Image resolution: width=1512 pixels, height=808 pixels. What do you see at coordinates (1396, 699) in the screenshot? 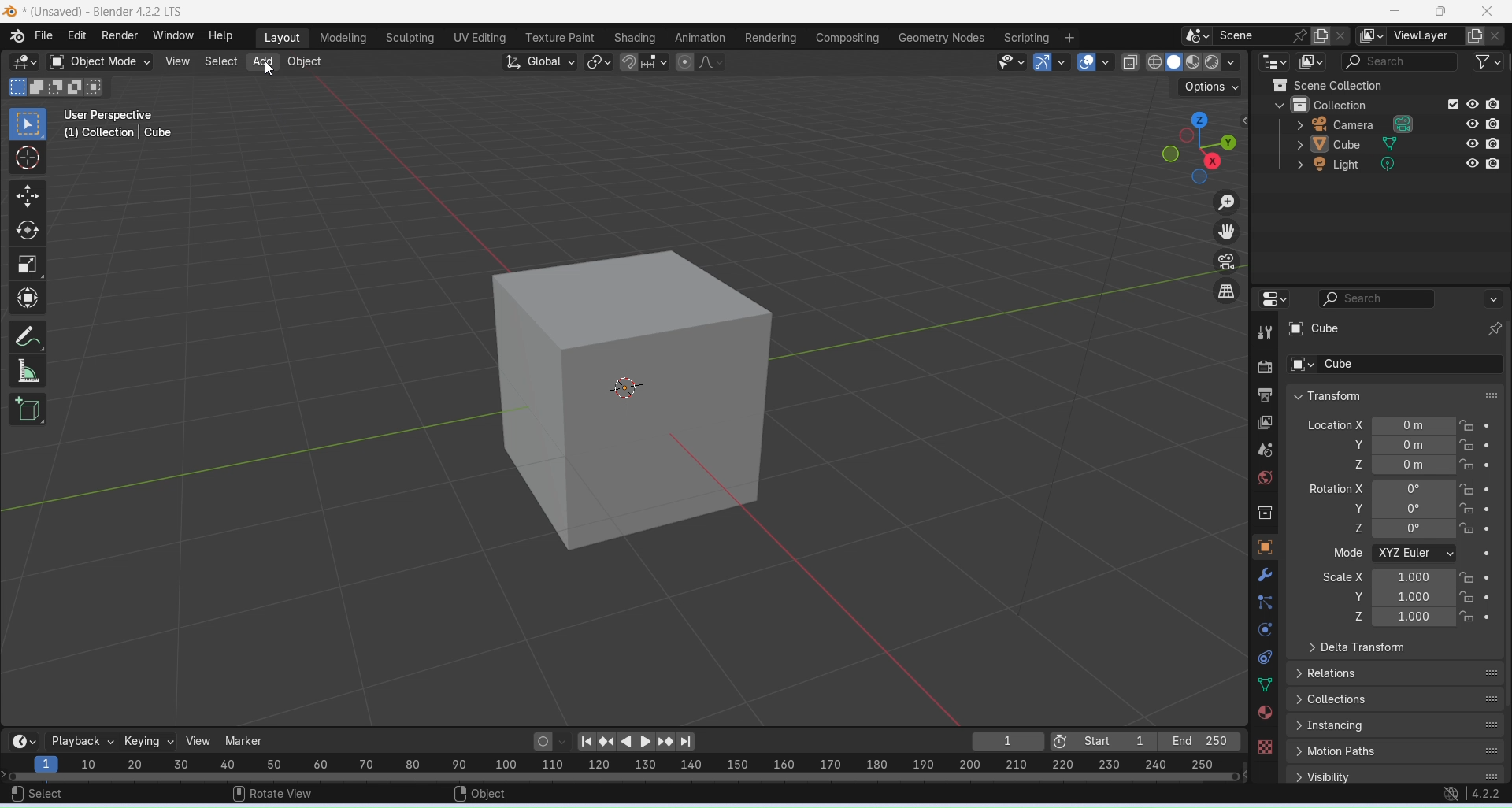
I see `Collections` at bounding box center [1396, 699].